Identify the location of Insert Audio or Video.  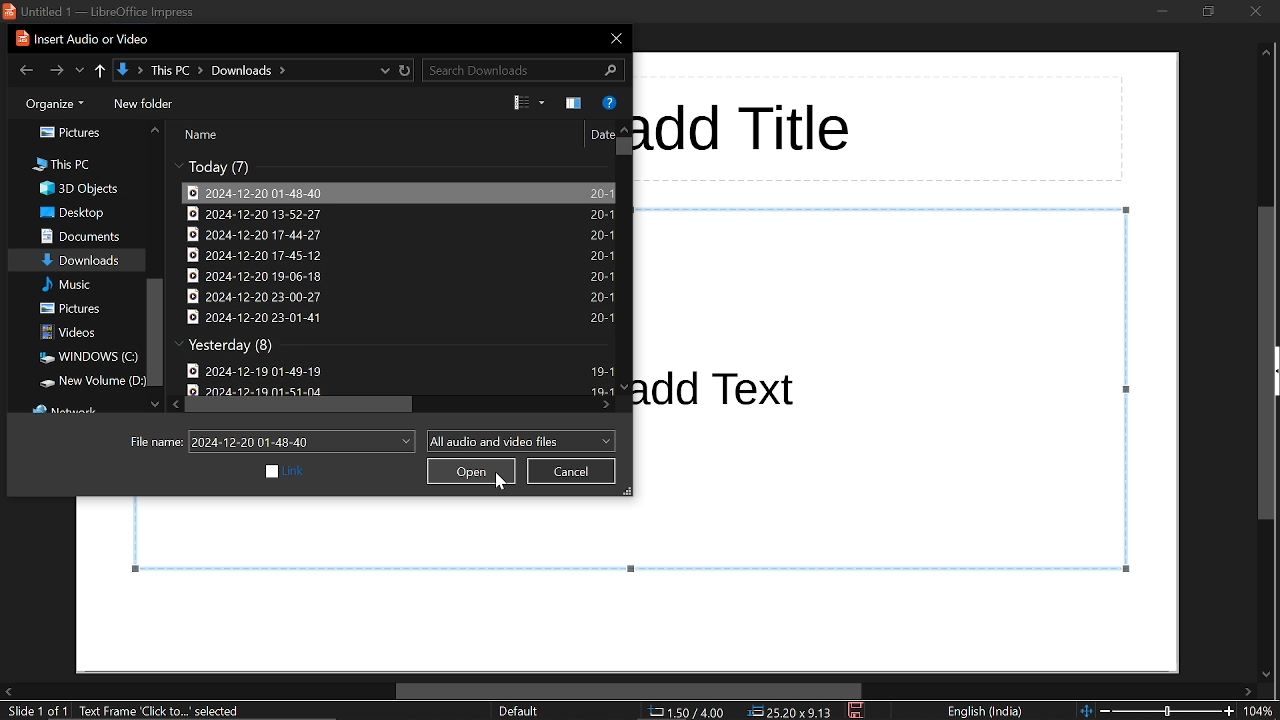
(88, 38).